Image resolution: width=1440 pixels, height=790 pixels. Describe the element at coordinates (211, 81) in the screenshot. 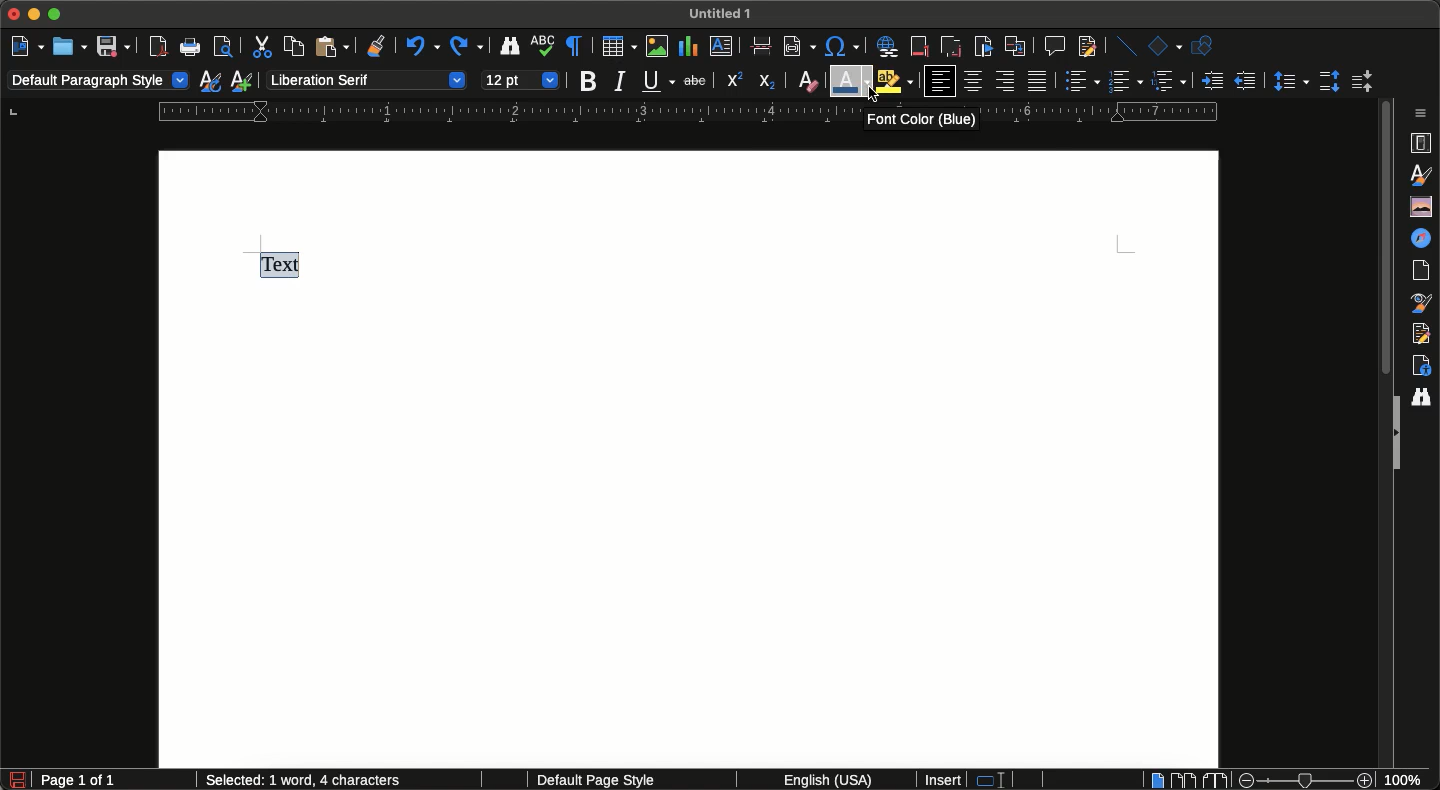

I see `Update selected style` at that location.